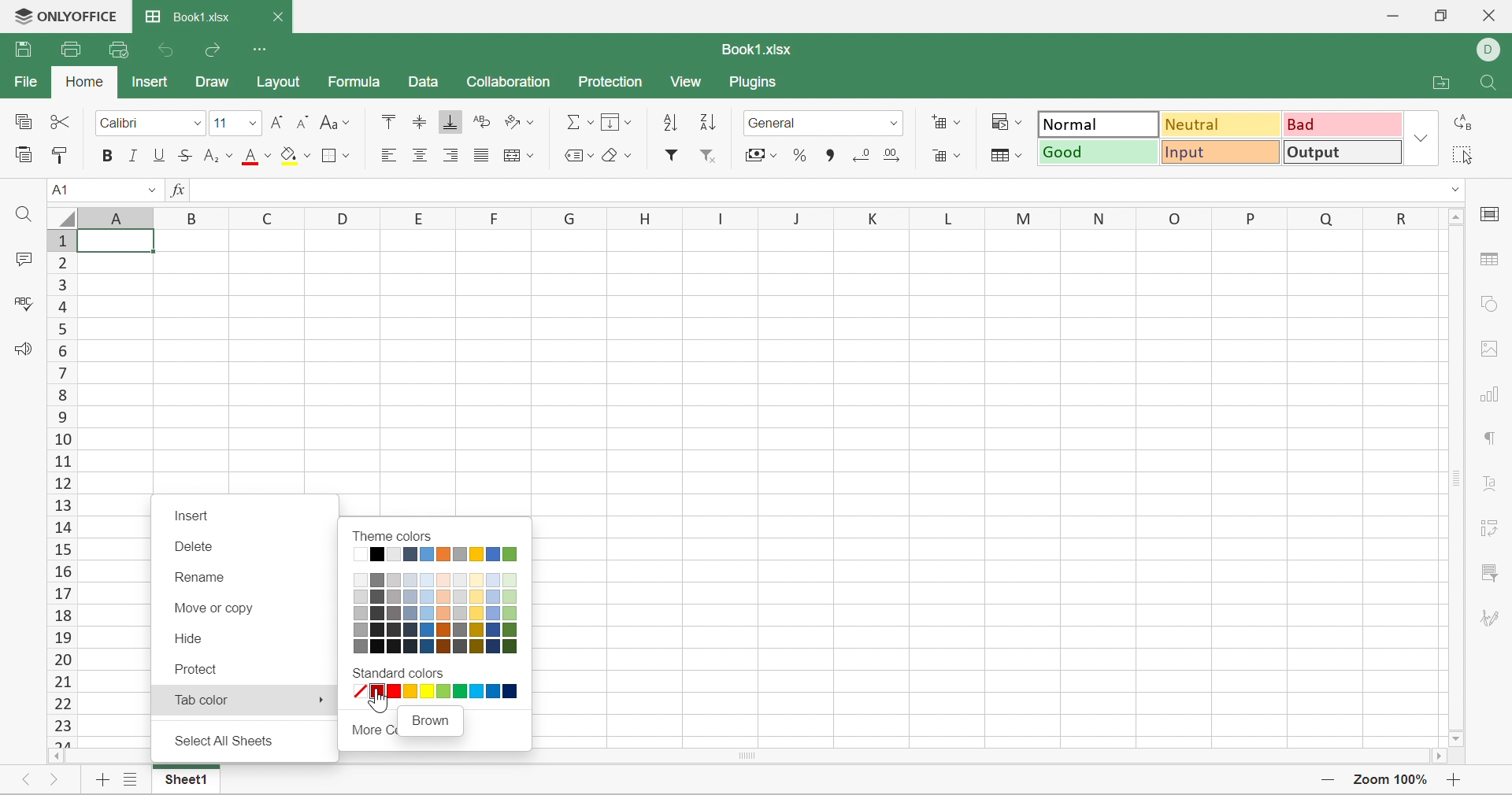  I want to click on Shape settings, so click(1488, 304).